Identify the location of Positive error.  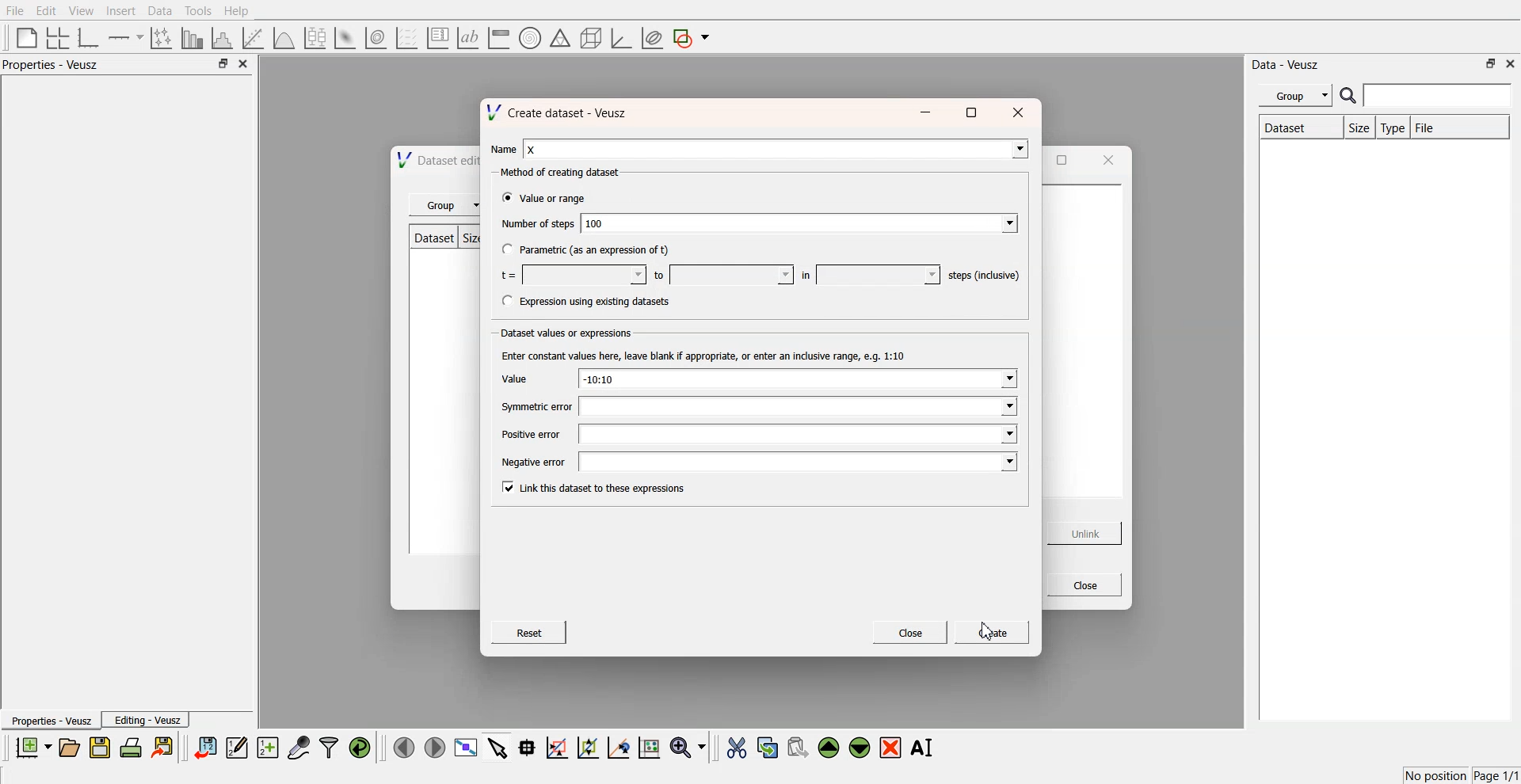
(531, 435).